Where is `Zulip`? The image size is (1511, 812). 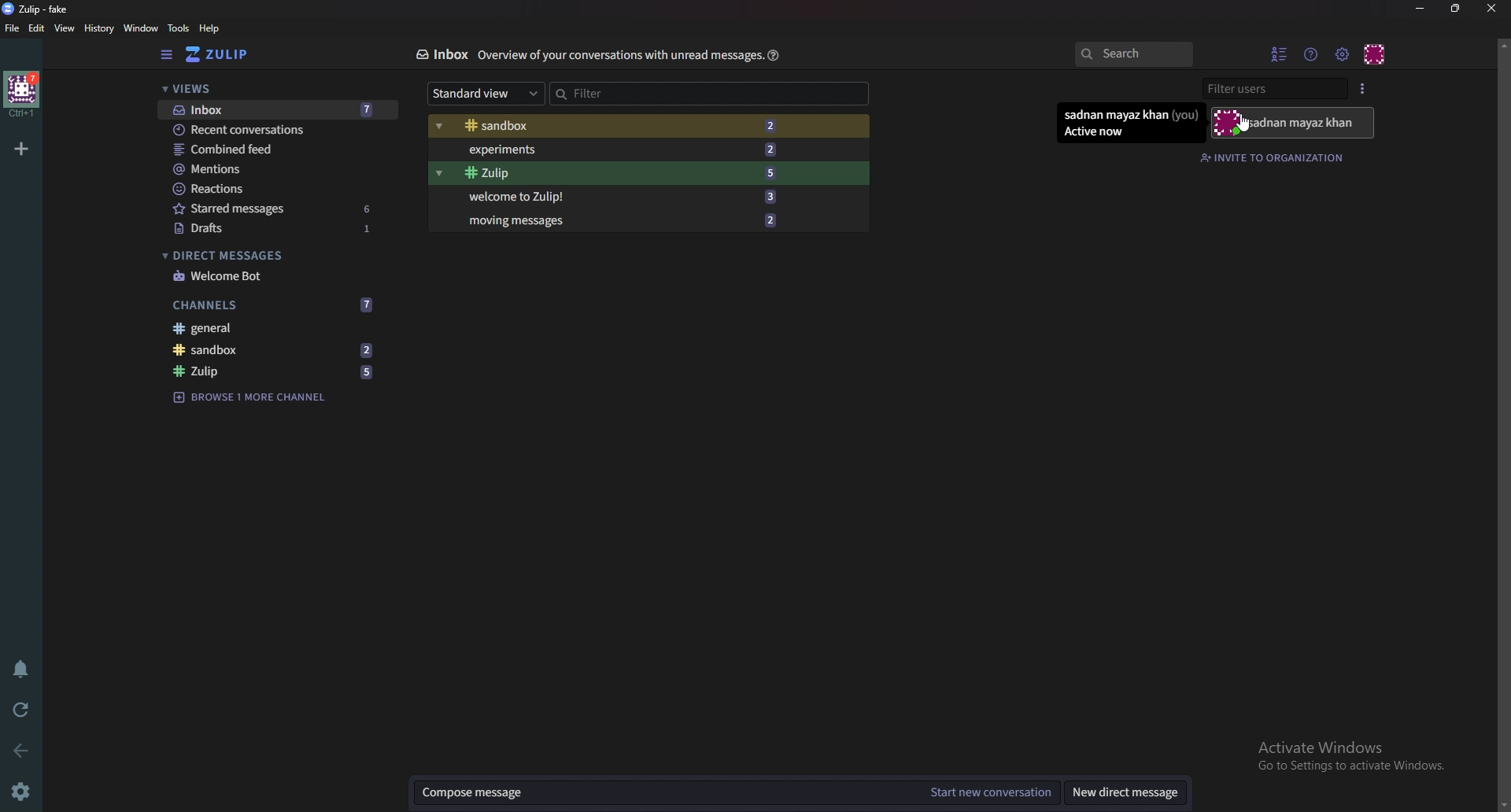
Zulip is located at coordinates (273, 371).